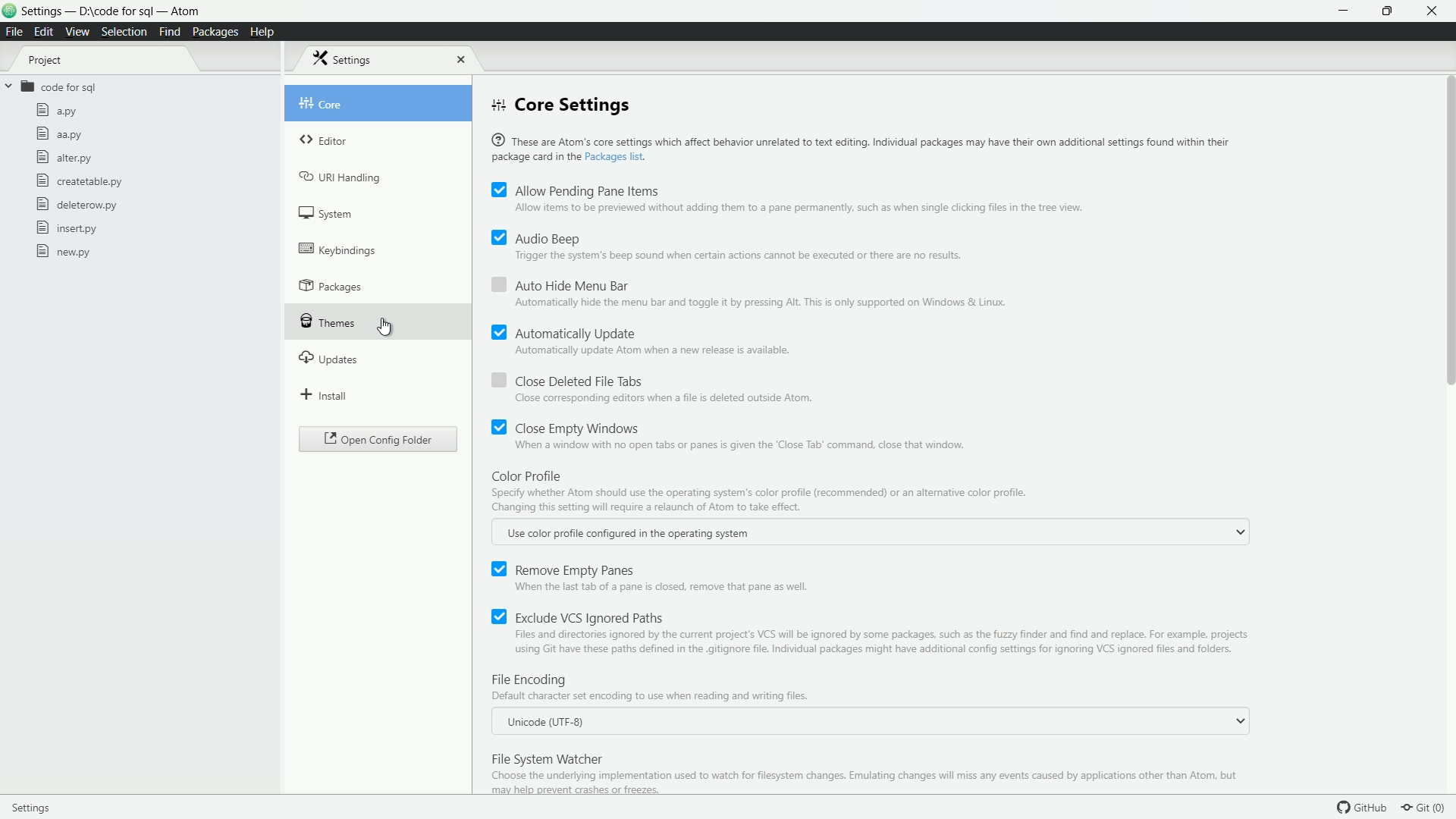 The width and height of the screenshot is (1456, 819). I want to click on unicode utf 8, so click(545, 723).